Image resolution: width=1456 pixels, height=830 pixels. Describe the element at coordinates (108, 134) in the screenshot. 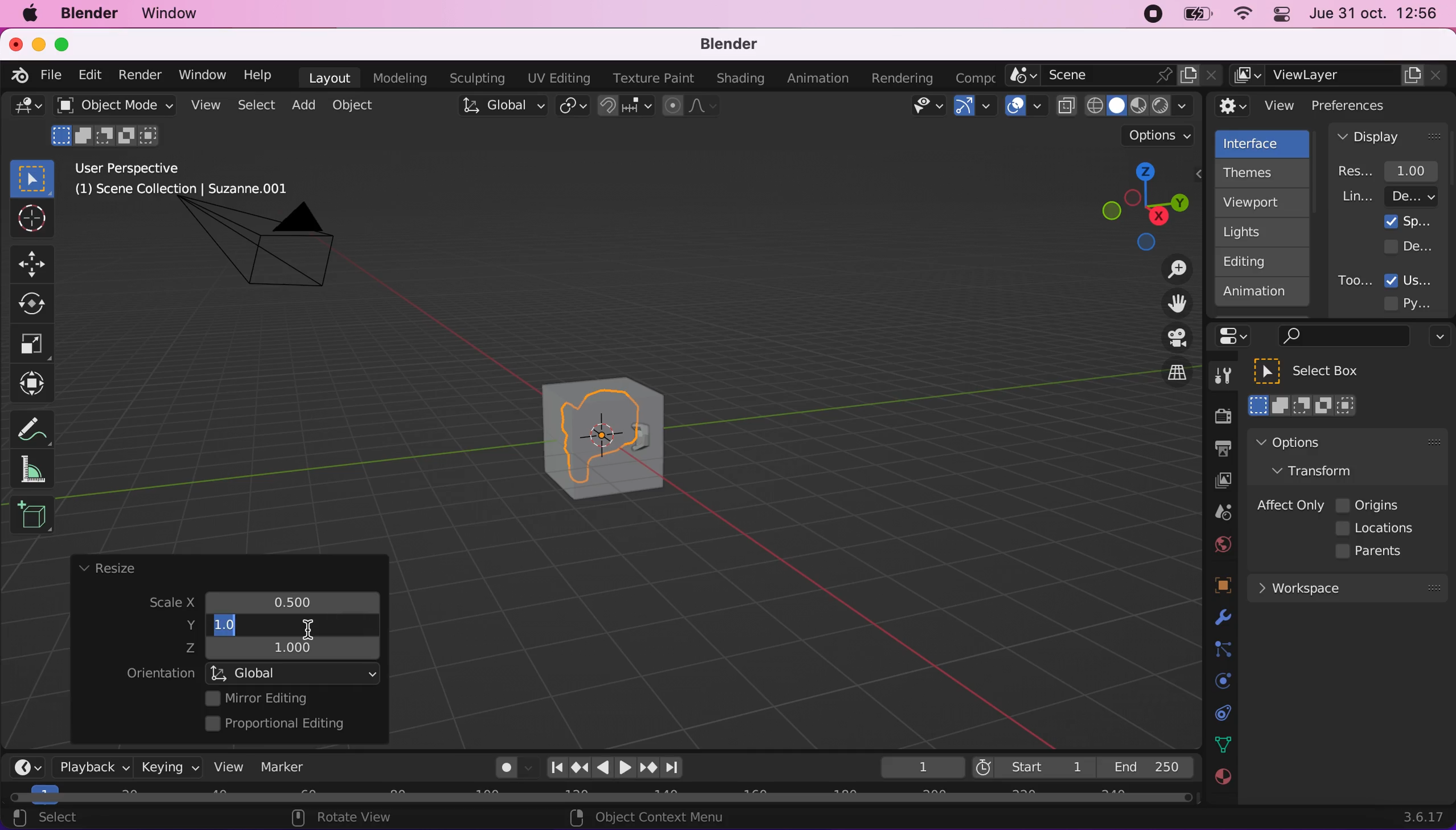

I see `mode` at that location.